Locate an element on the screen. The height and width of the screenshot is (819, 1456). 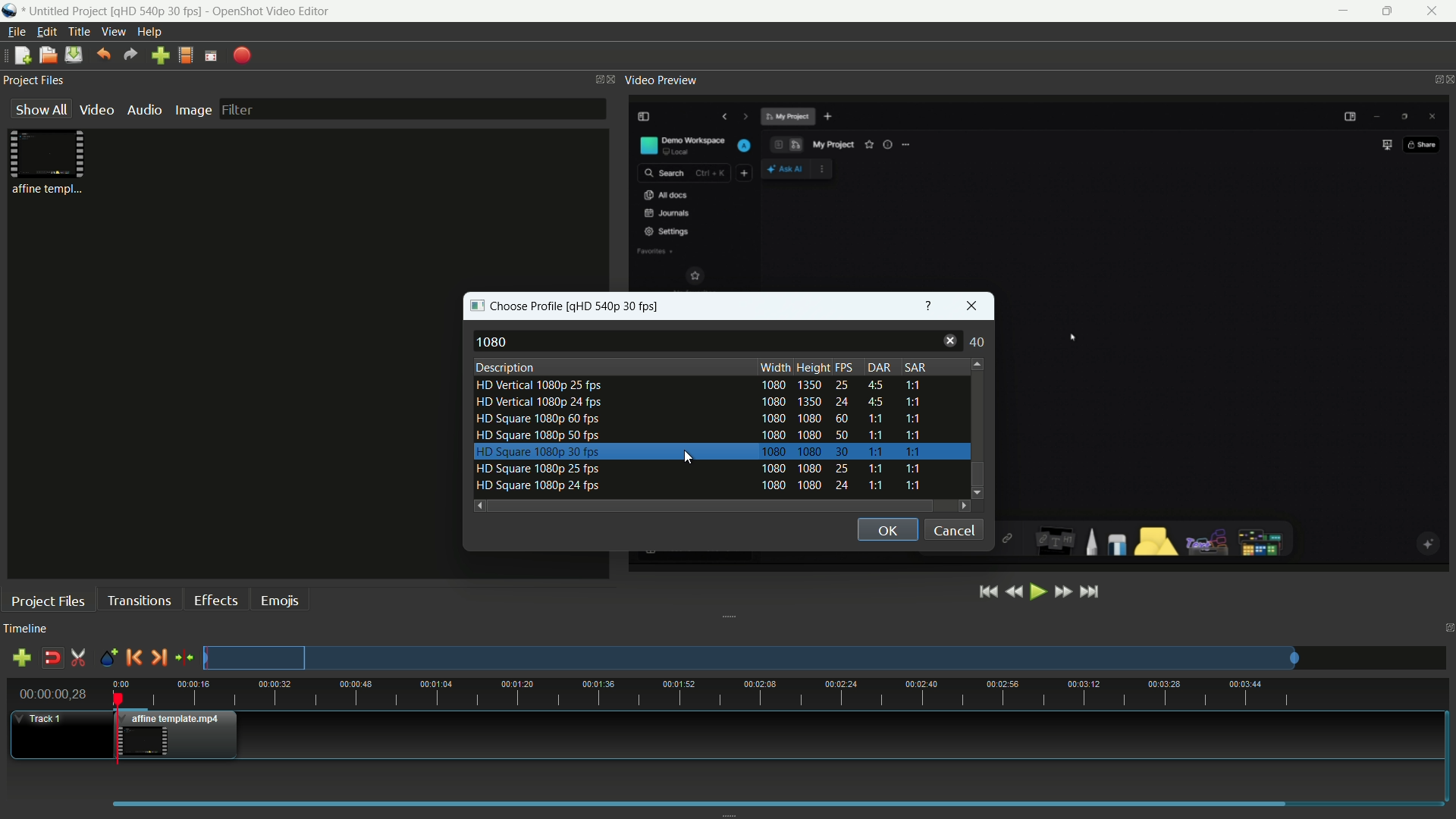
transitions is located at coordinates (139, 600).